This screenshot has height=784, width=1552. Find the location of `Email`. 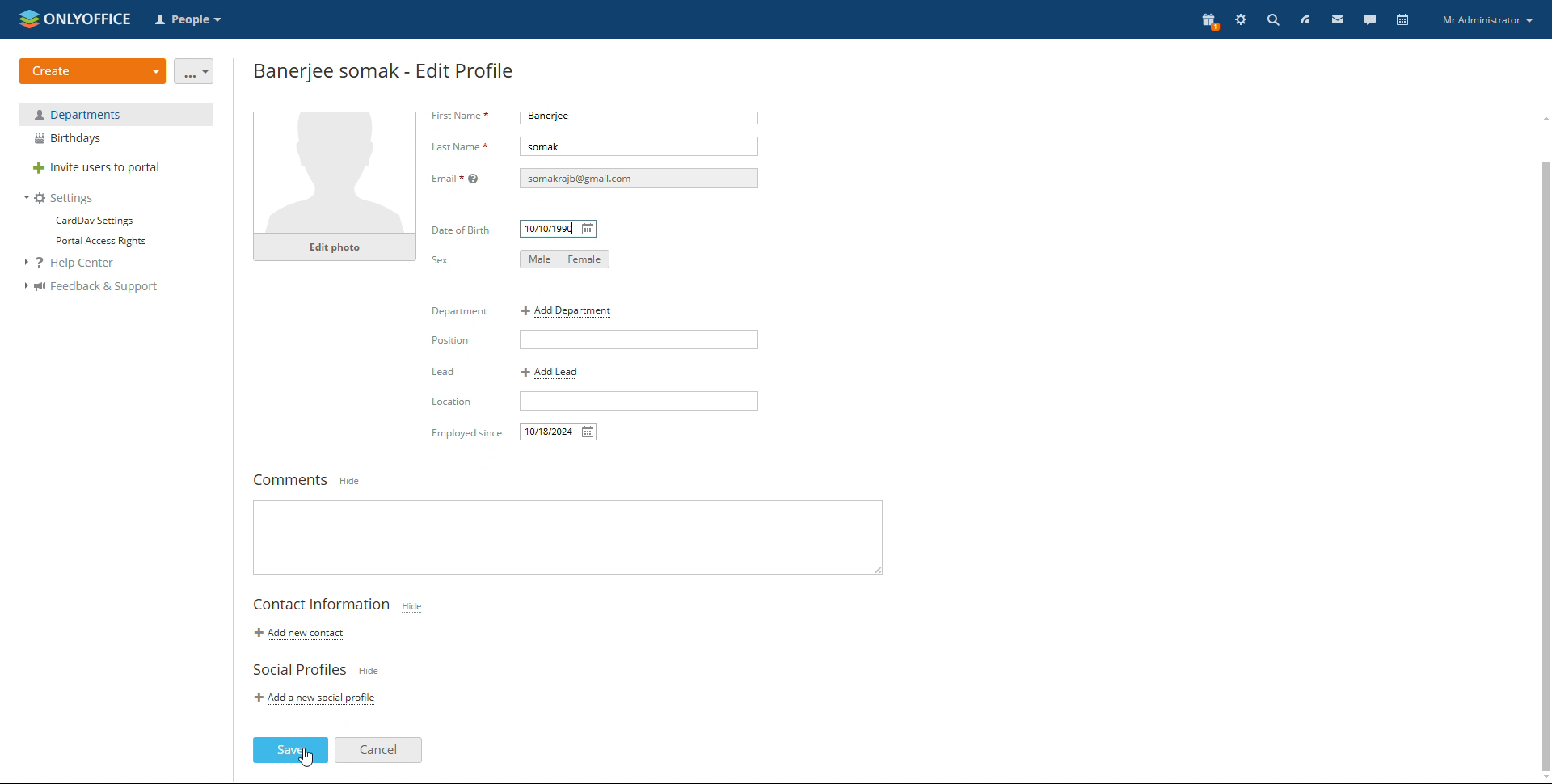

Email is located at coordinates (458, 180).